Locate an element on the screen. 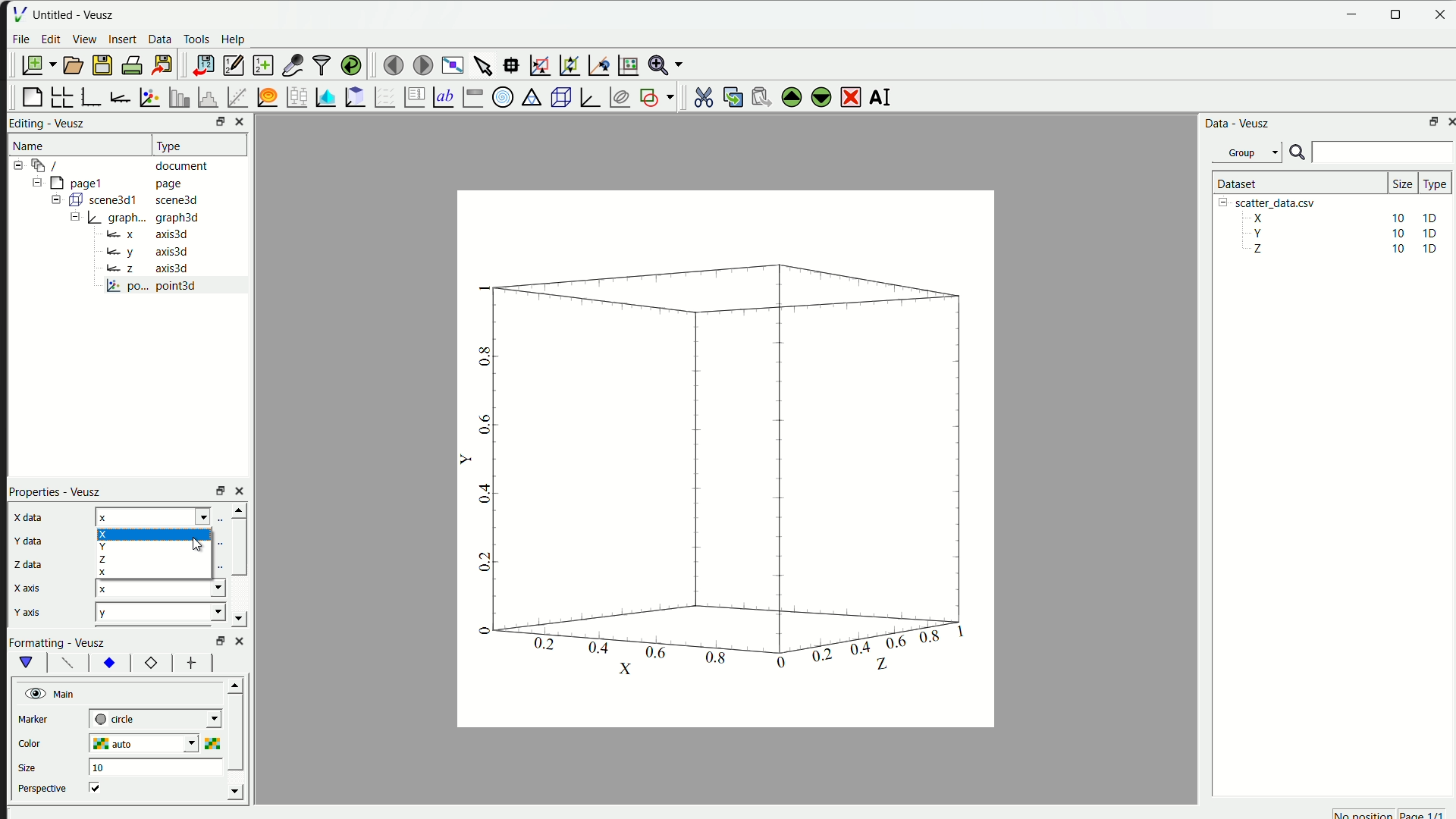 The width and height of the screenshot is (1456, 819). size is located at coordinates (1398, 180).